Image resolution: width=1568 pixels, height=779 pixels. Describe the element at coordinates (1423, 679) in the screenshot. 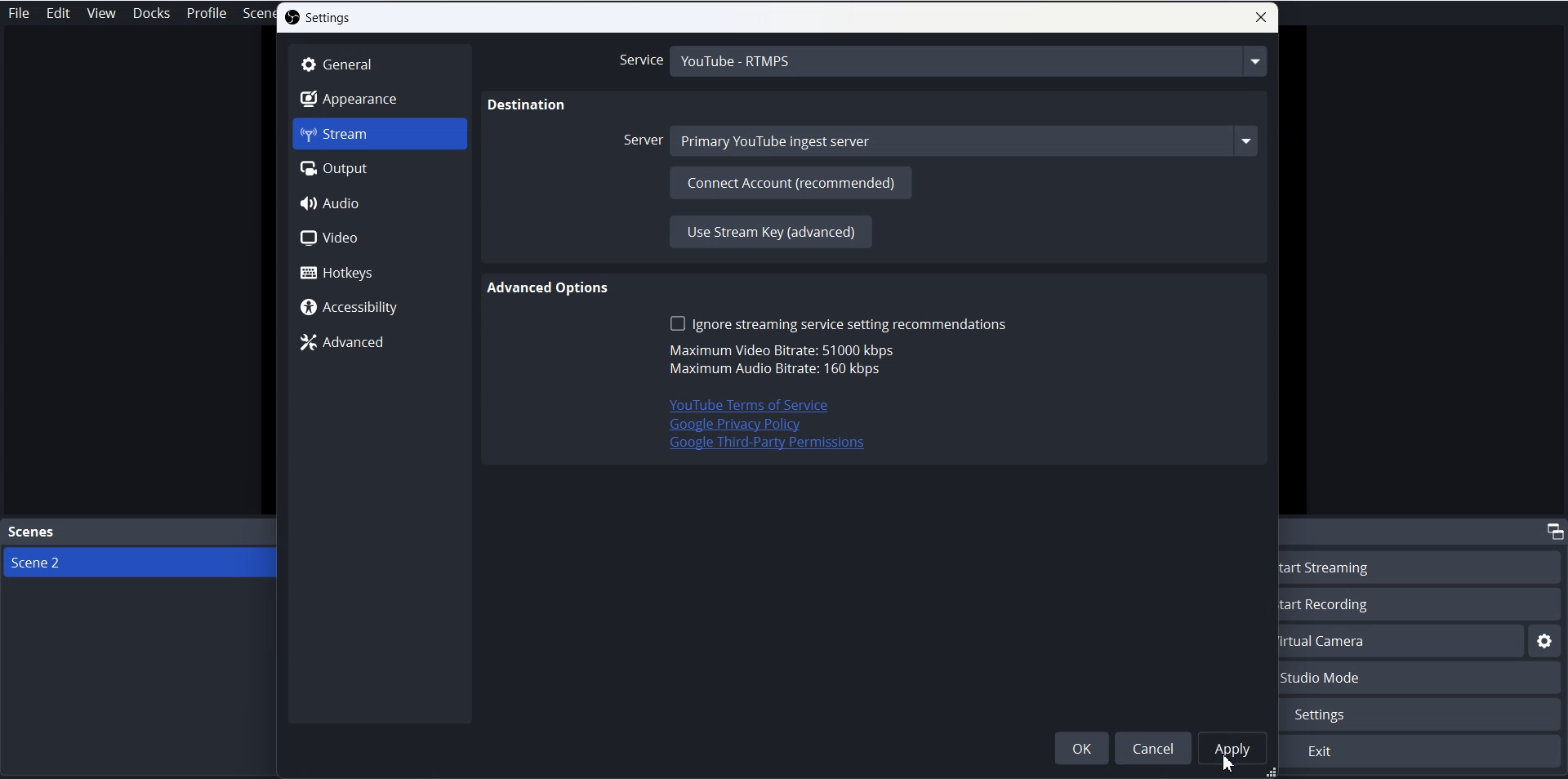

I see `Studio Mode` at that location.